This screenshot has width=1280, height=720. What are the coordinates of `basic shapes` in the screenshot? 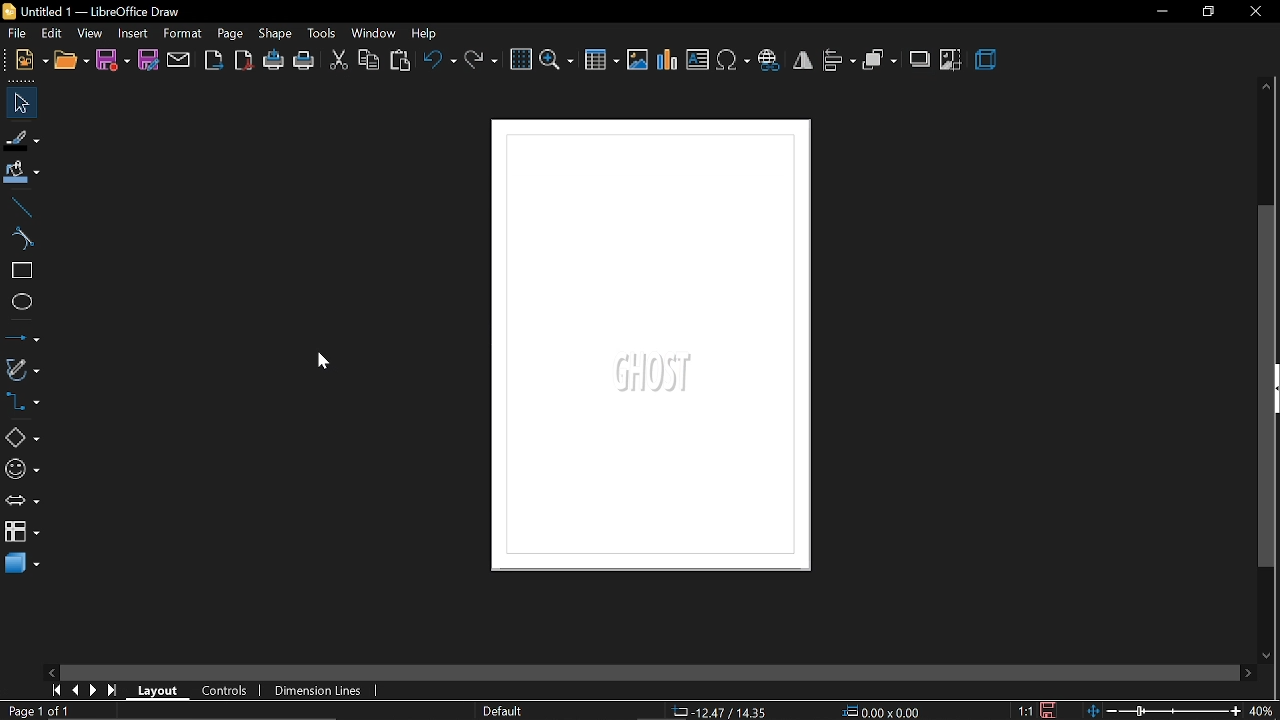 It's located at (20, 437).